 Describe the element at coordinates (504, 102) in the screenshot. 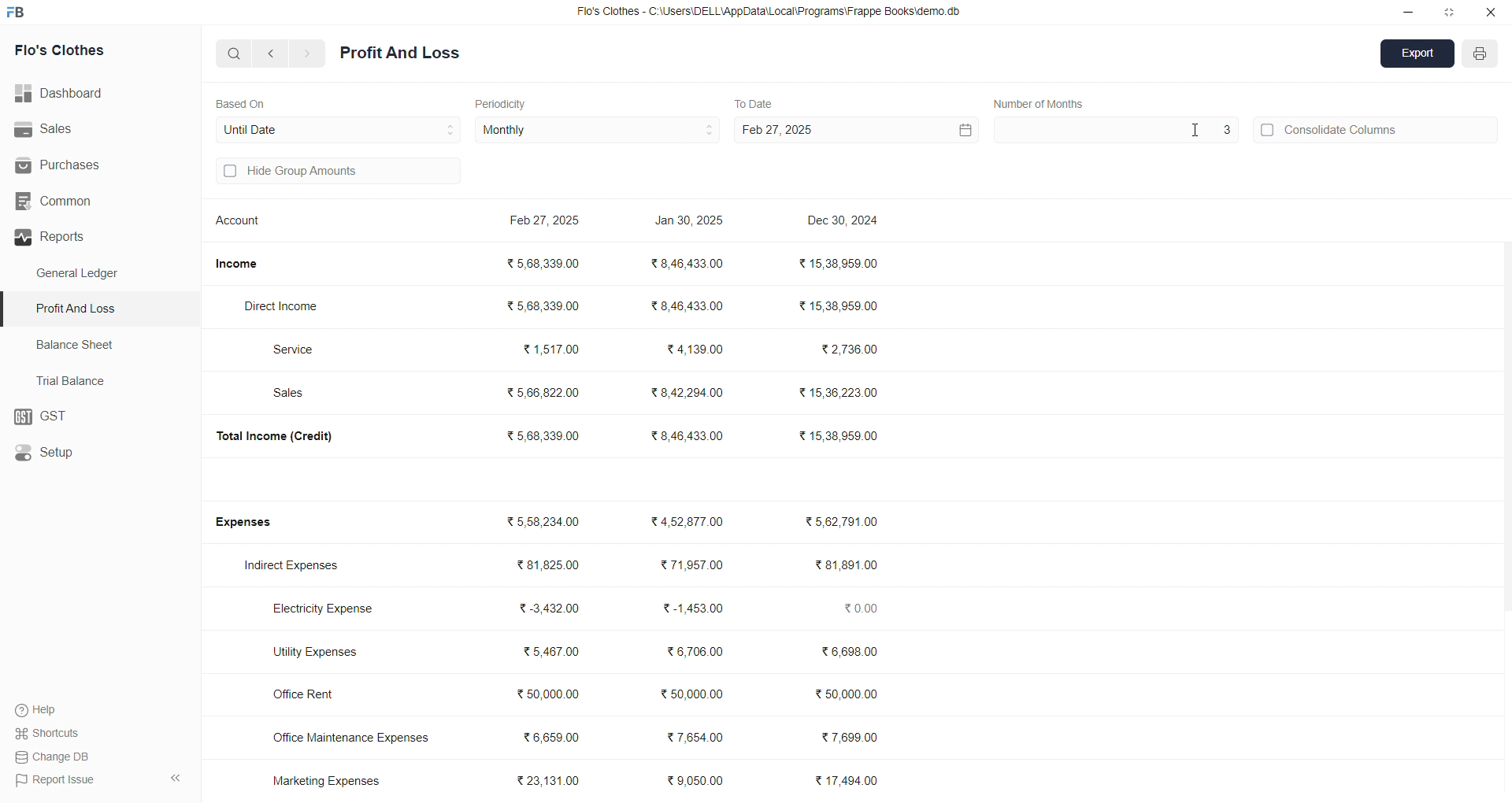

I see `Periodicity` at that location.